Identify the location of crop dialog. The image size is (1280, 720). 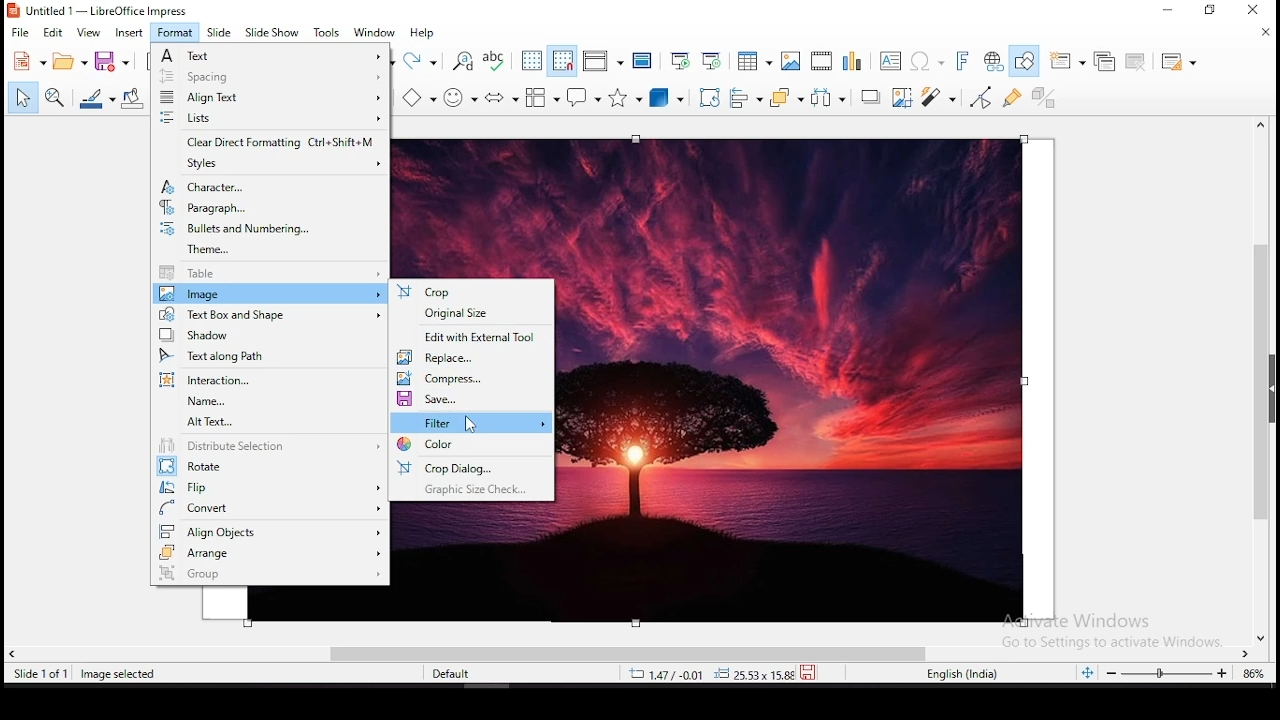
(472, 468).